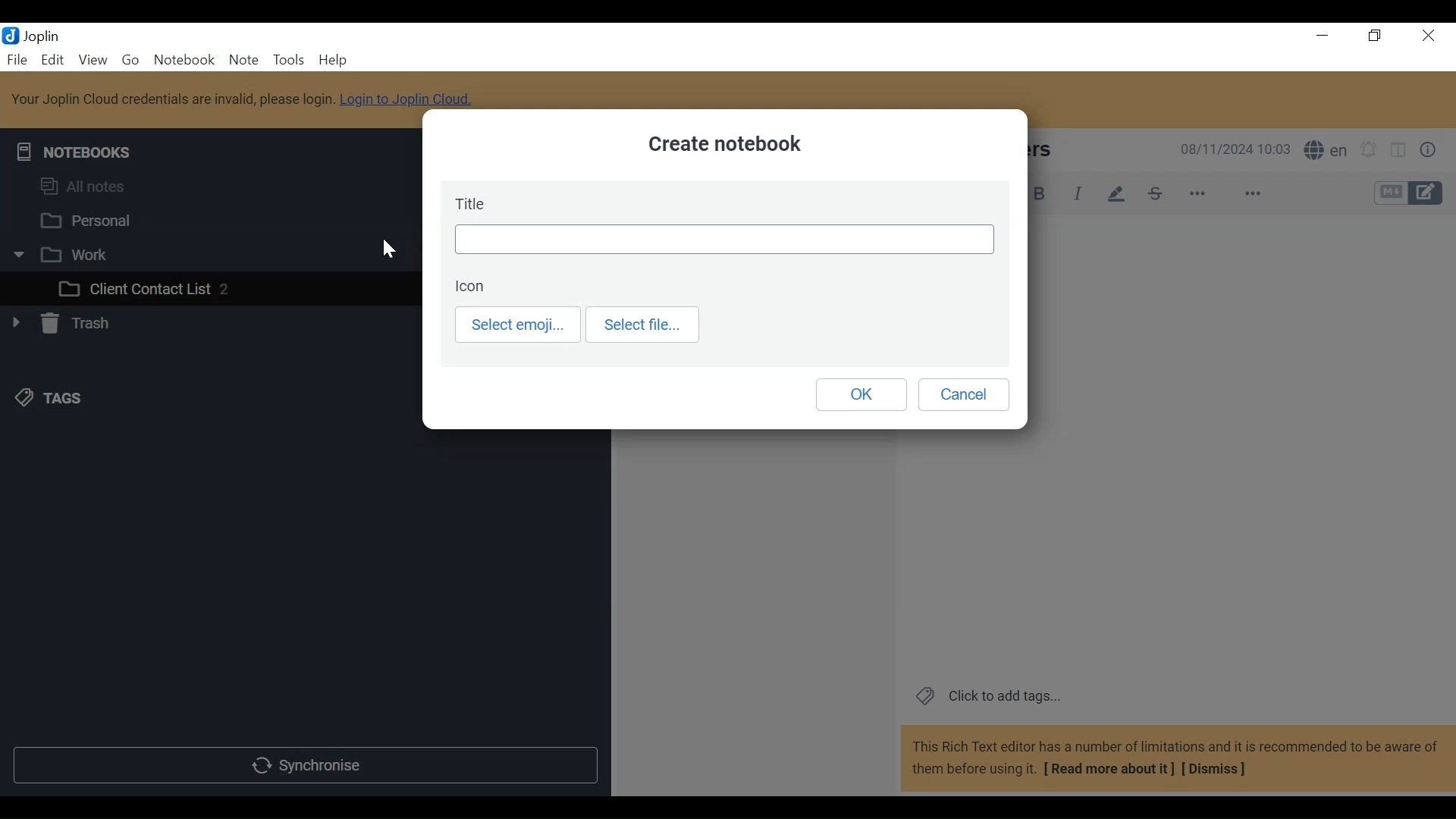 The height and width of the screenshot is (819, 1456). I want to click on minimize, so click(1323, 36).